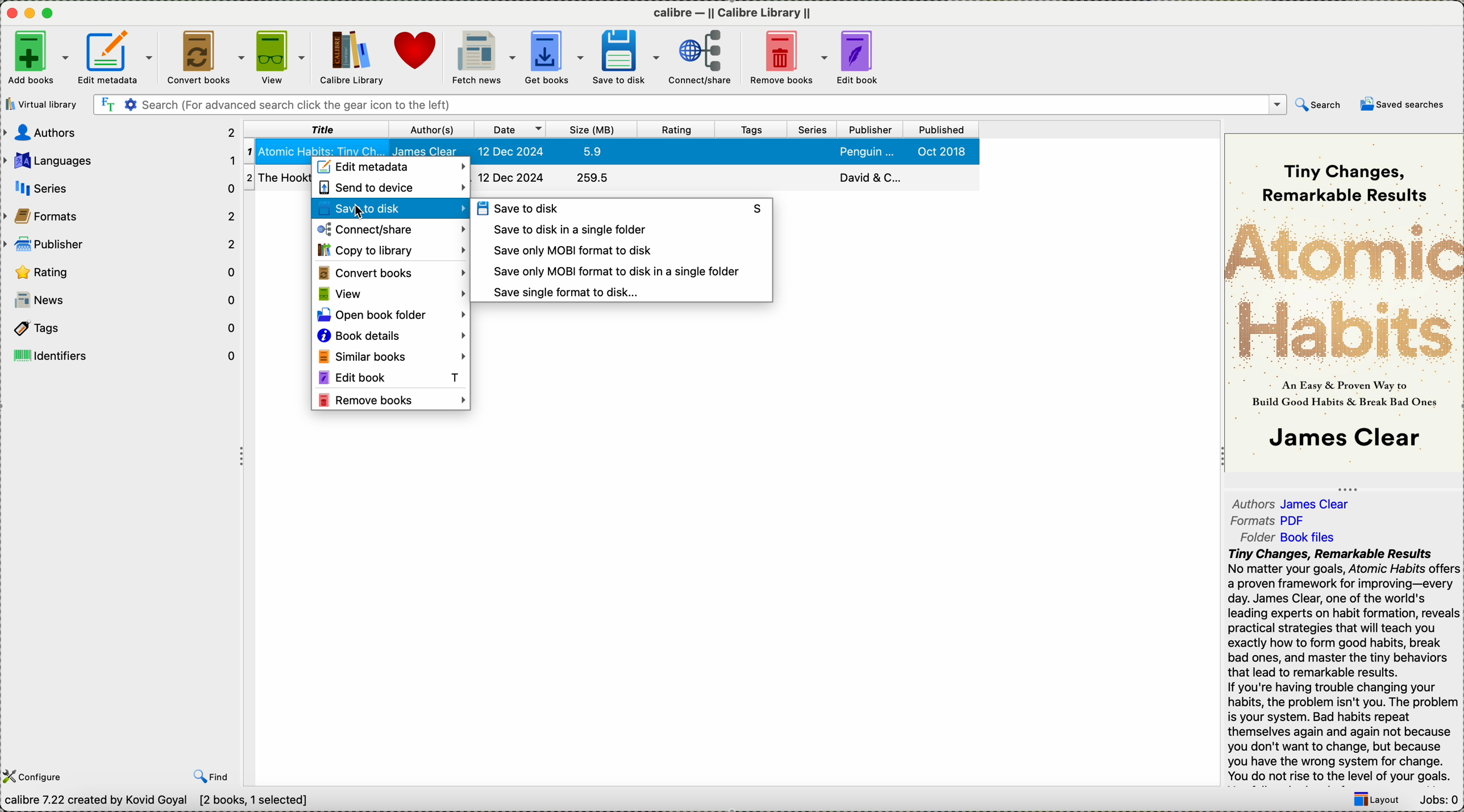  Describe the element at coordinates (733, 11) in the screenshot. I see `Calibre - calibre library` at that location.